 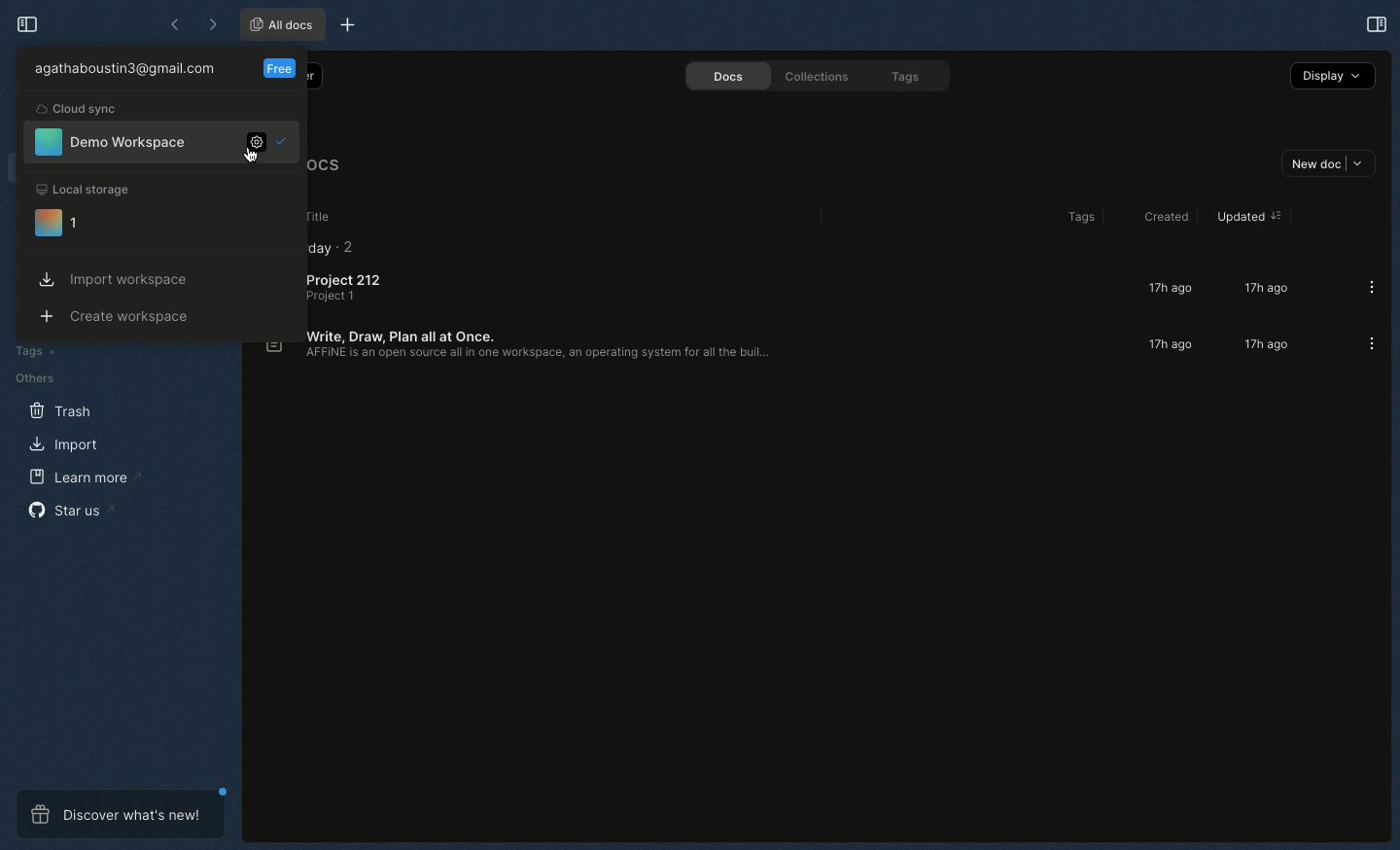 What do you see at coordinates (1331, 75) in the screenshot?
I see `Display` at bounding box center [1331, 75].